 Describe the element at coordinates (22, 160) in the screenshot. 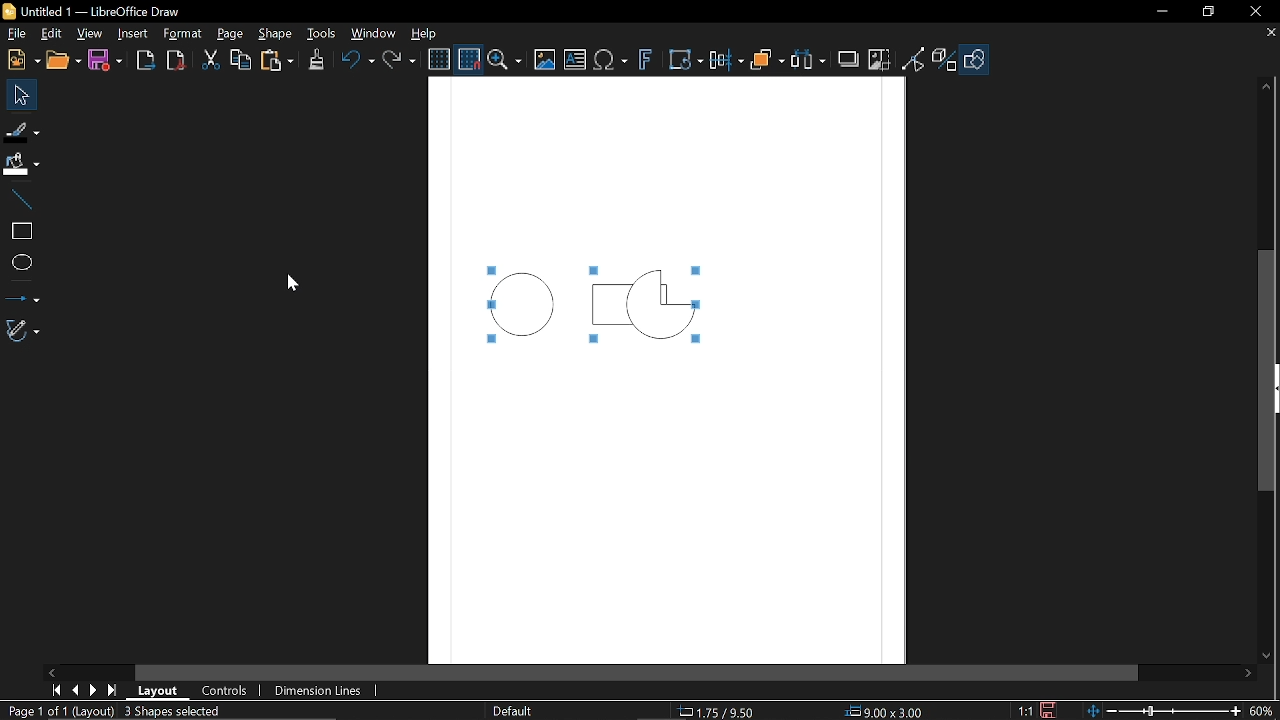

I see `FiIl color` at that location.